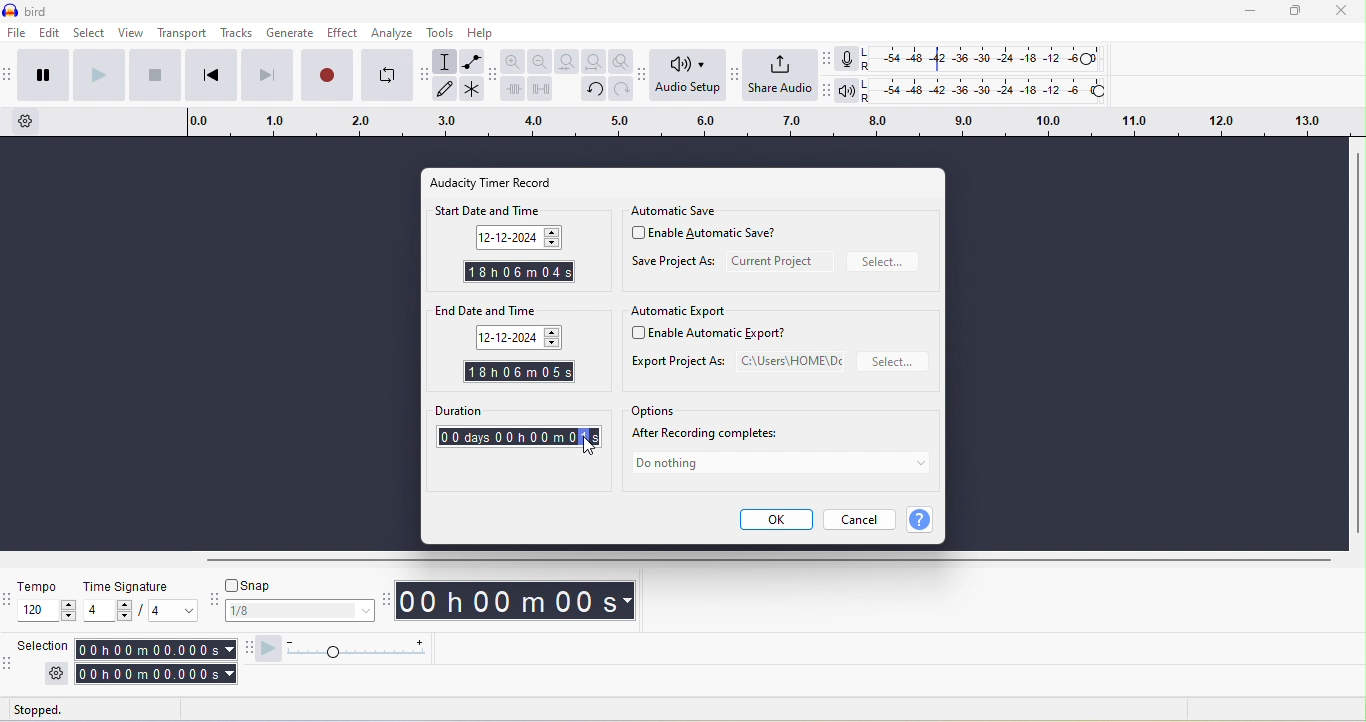 The width and height of the screenshot is (1366, 722). I want to click on cancel, so click(859, 519).